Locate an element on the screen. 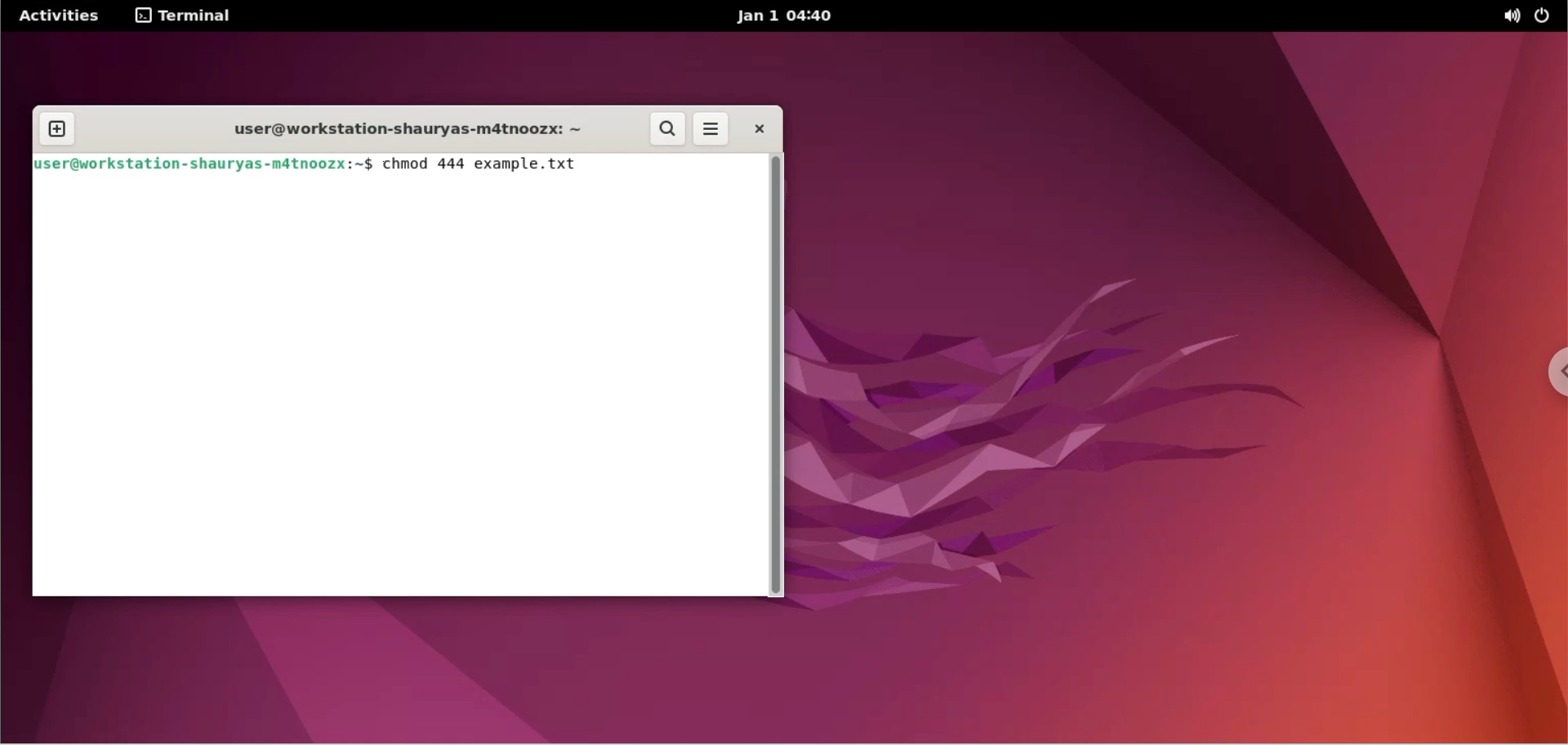 This screenshot has width=1568, height=745. user@workstation-shauryas-mdtnoozx: ~ is located at coordinates (402, 128).